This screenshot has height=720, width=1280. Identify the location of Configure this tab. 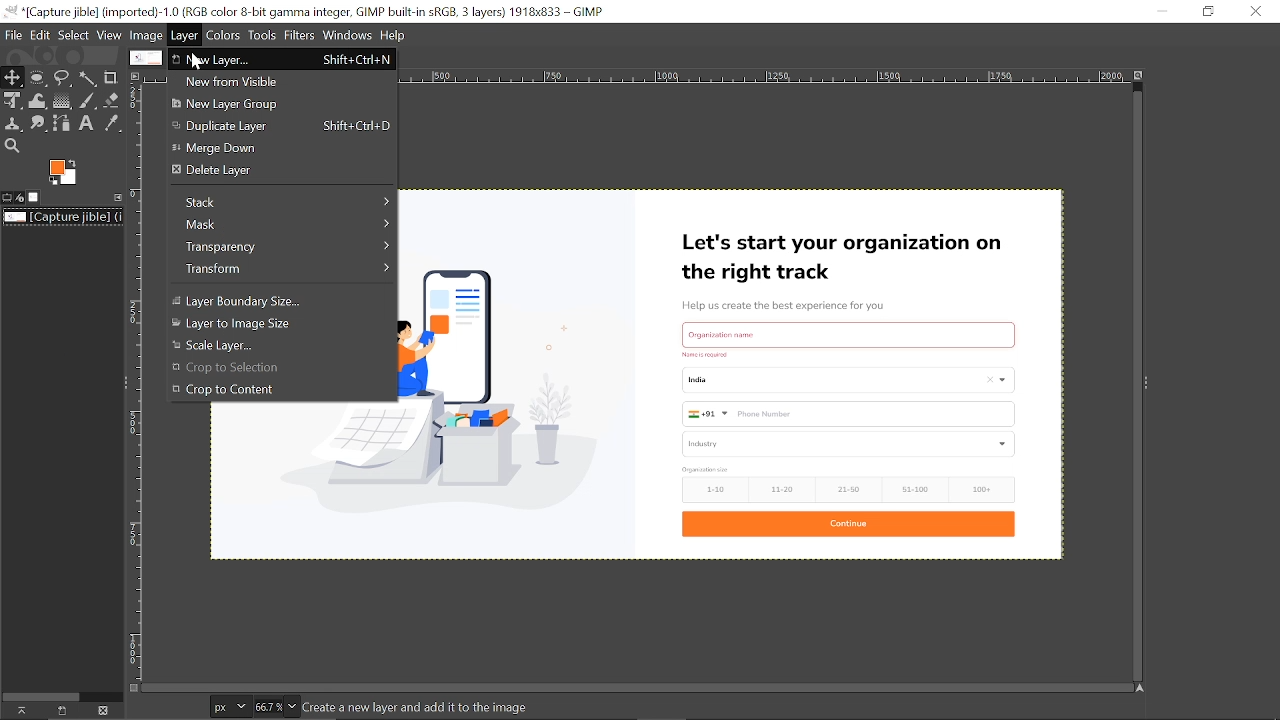
(115, 197).